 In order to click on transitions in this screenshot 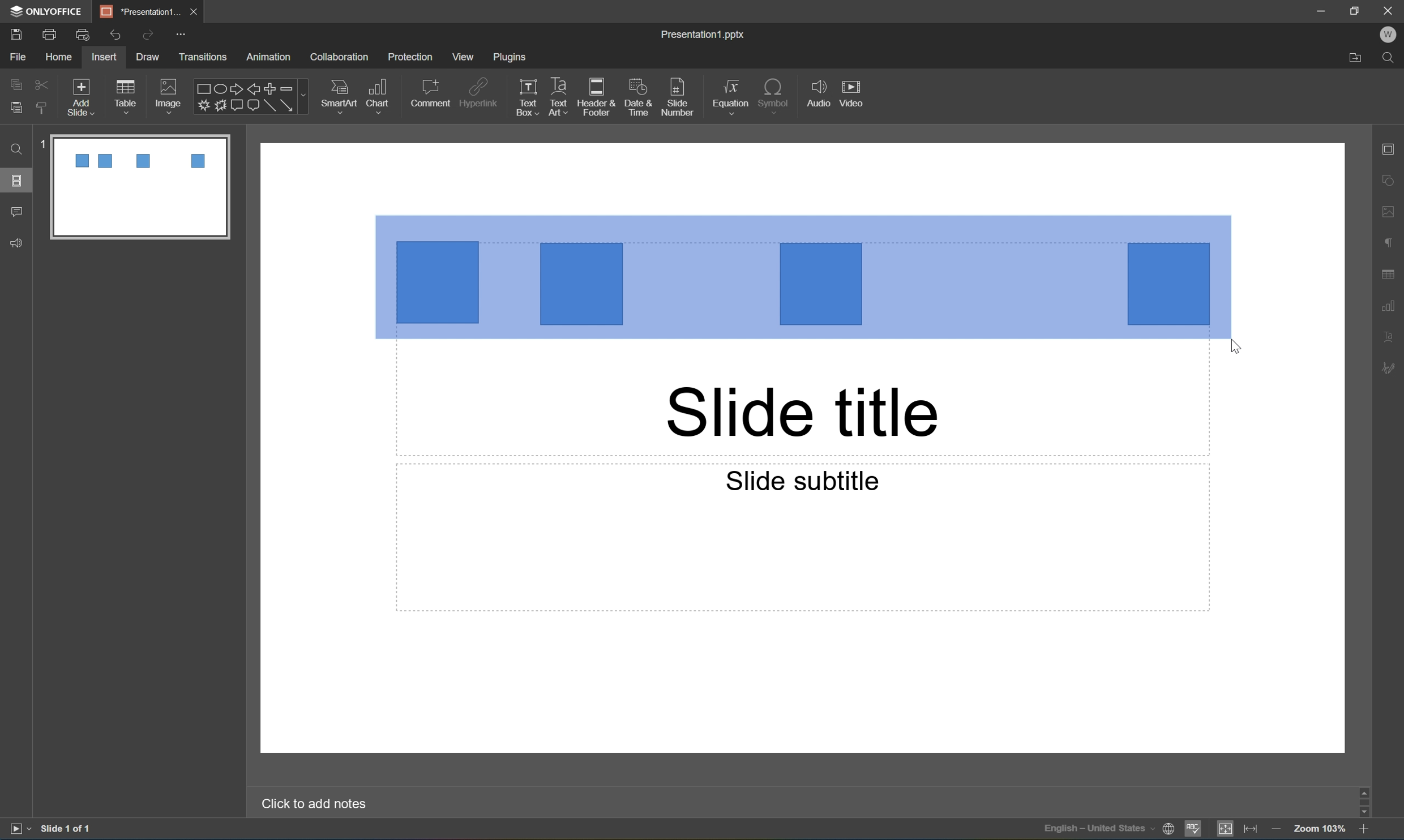, I will do `click(204, 57)`.